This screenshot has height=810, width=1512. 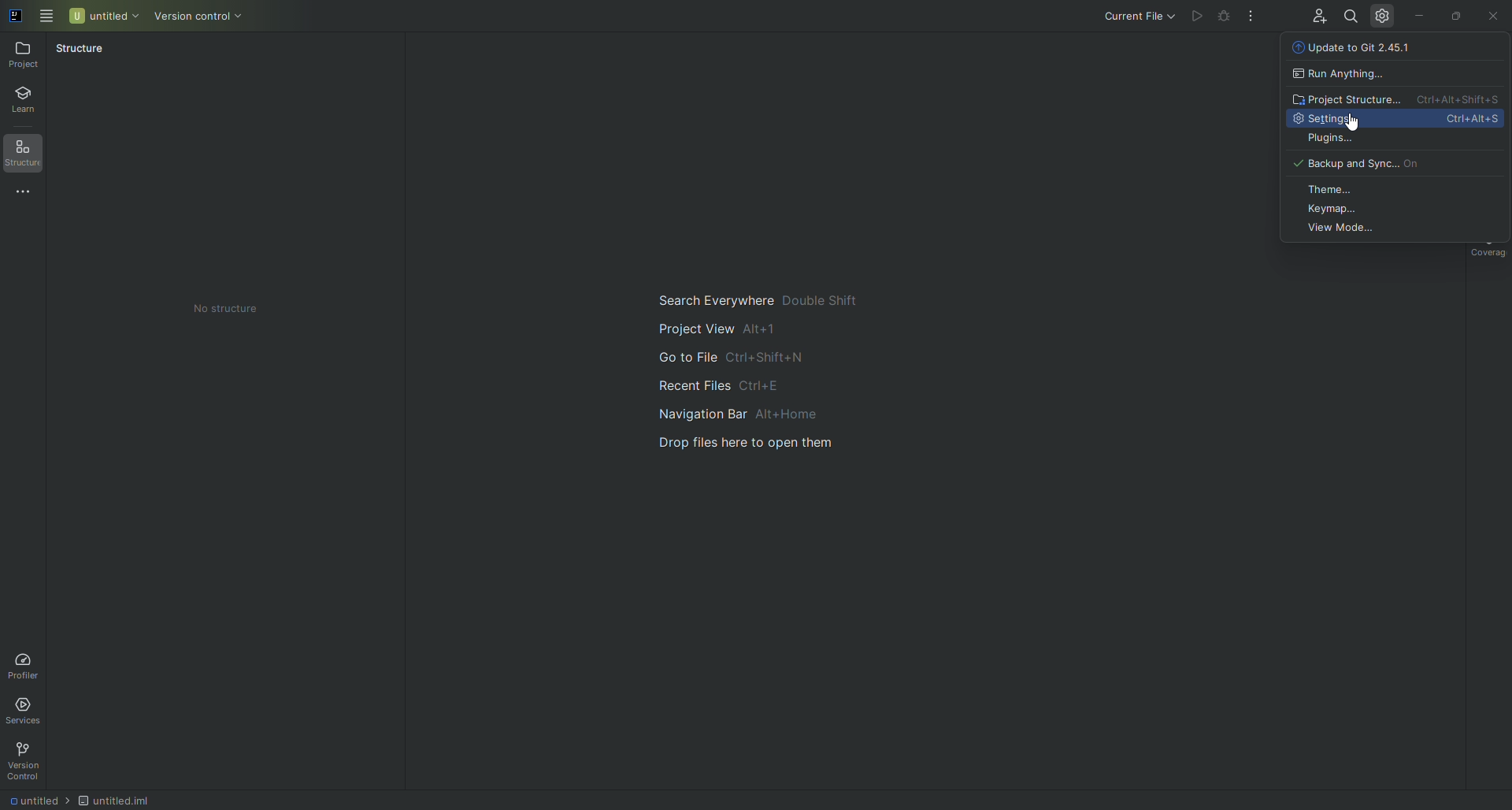 I want to click on Navigation, so click(x=760, y=418).